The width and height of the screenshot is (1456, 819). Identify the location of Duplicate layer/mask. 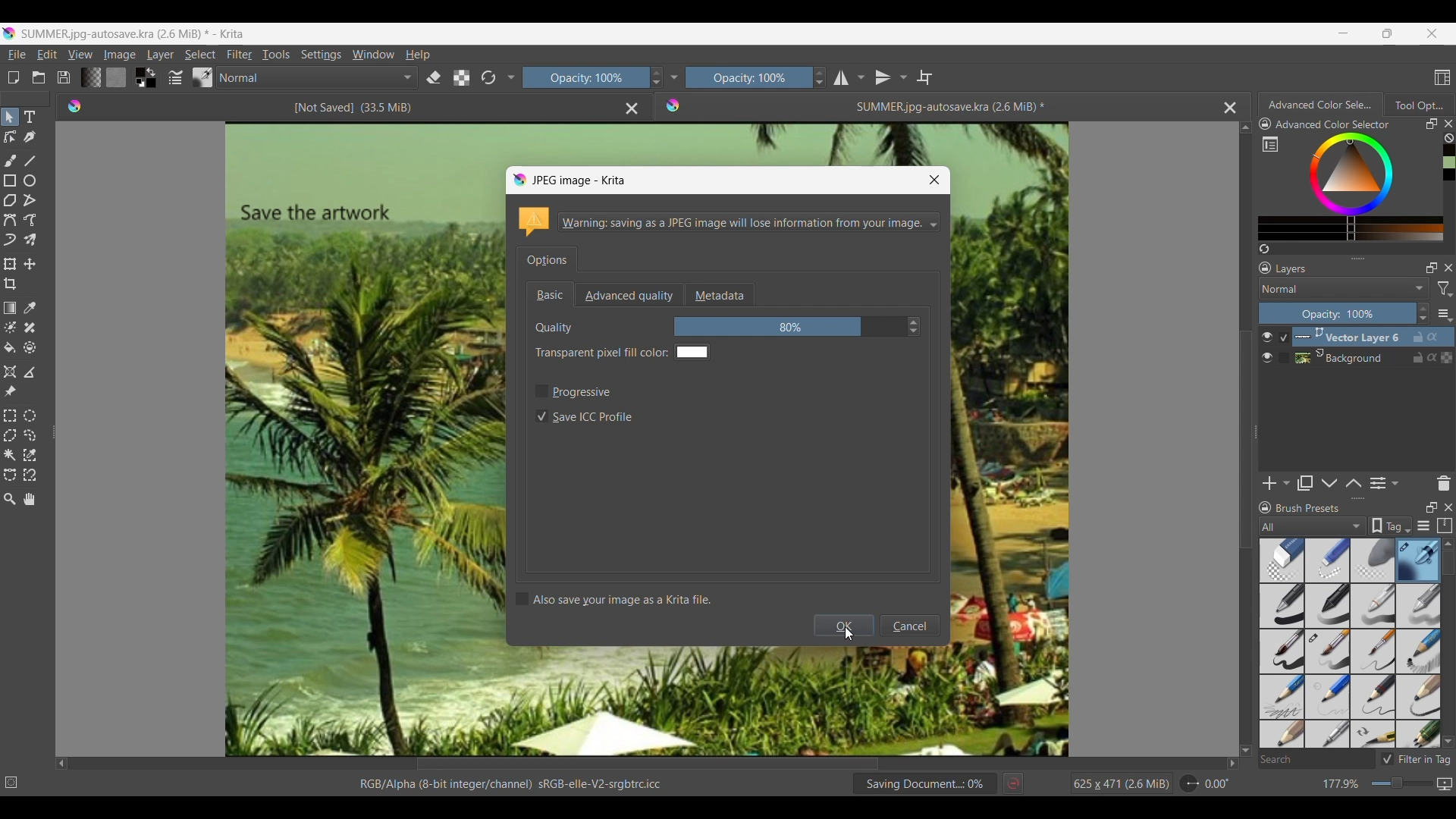
(1304, 483).